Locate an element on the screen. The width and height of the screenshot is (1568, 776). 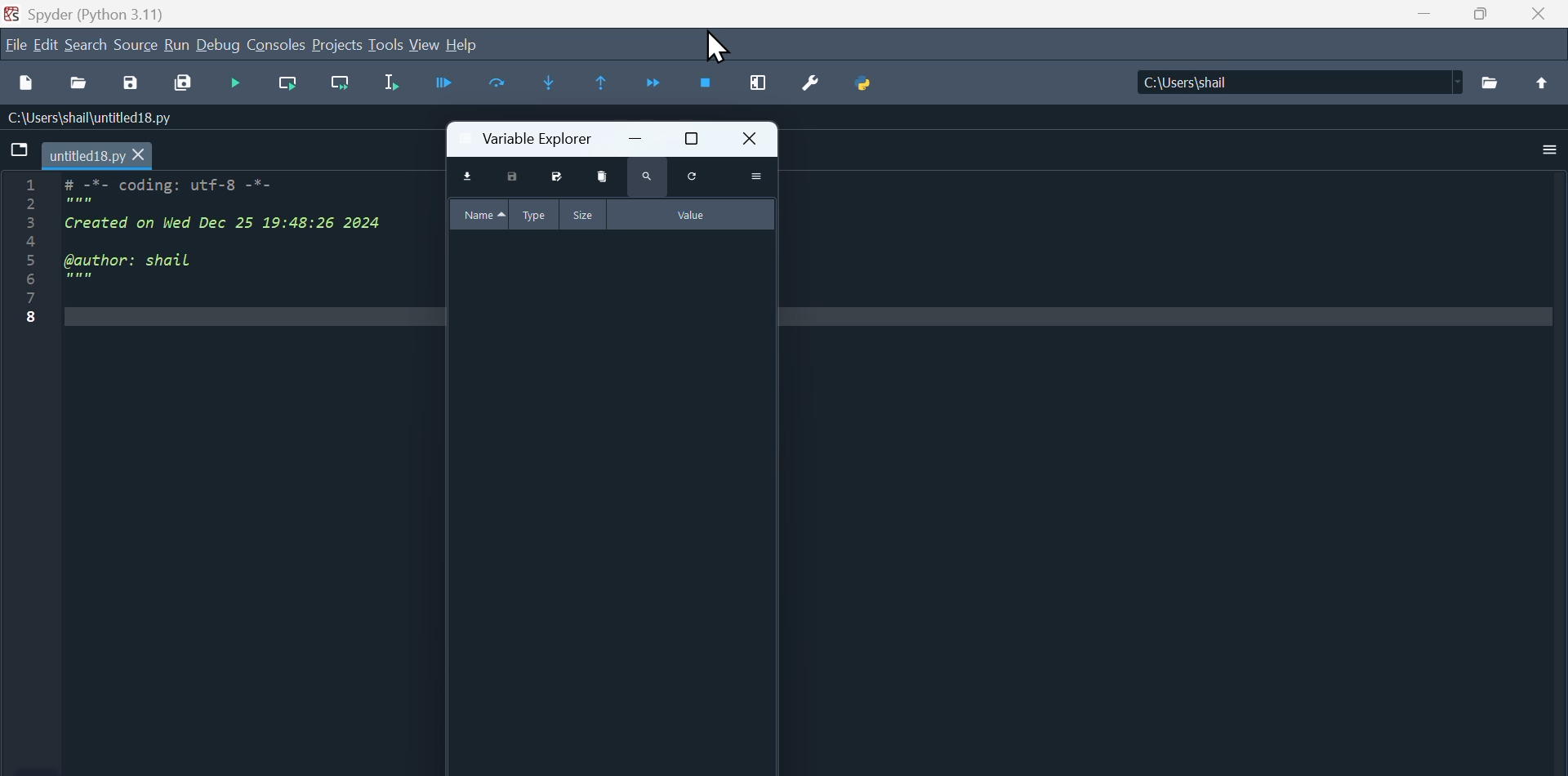
Help is located at coordinates (467, 43).